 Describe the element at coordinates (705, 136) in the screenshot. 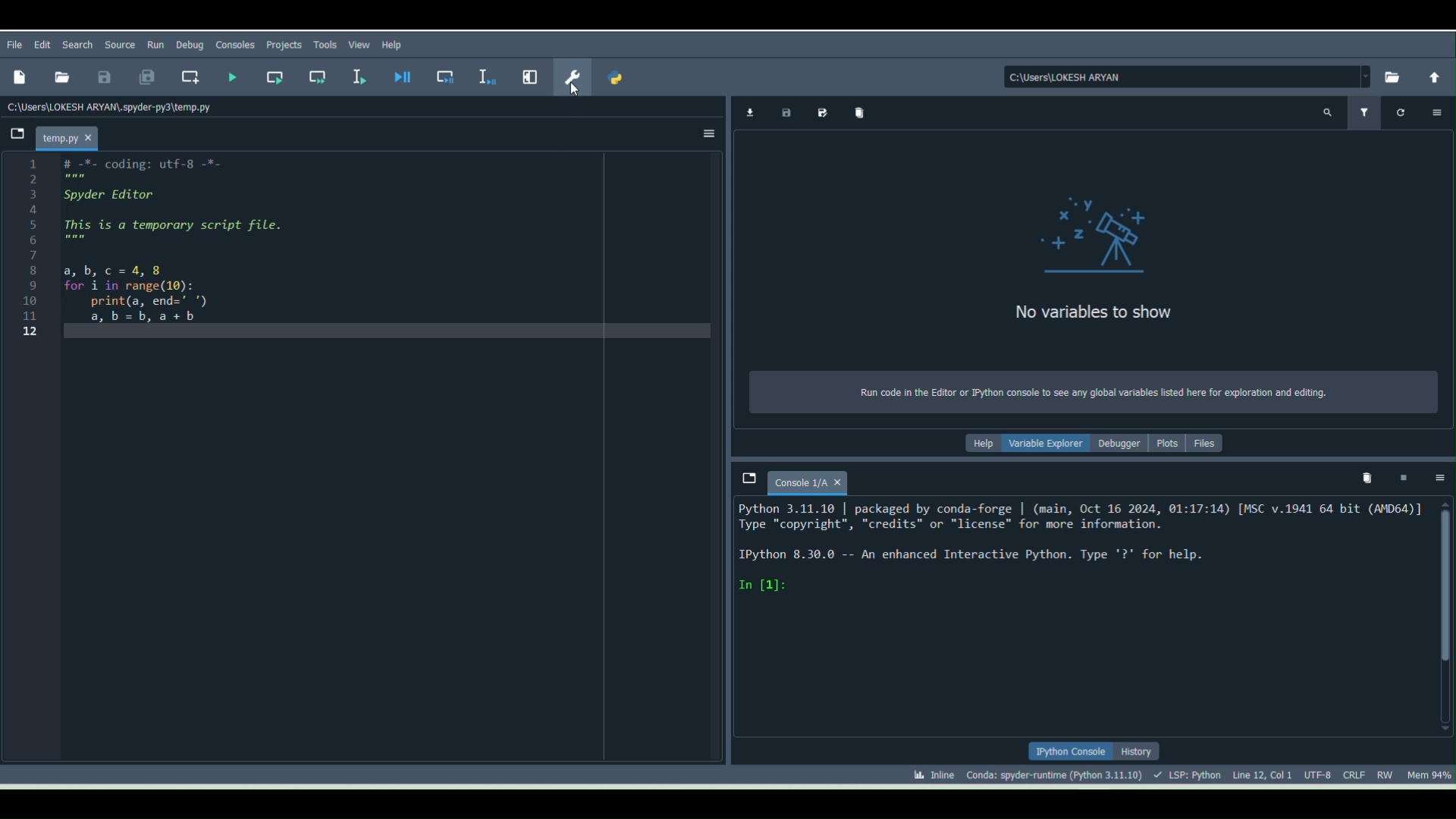

I see `Options` at that location.